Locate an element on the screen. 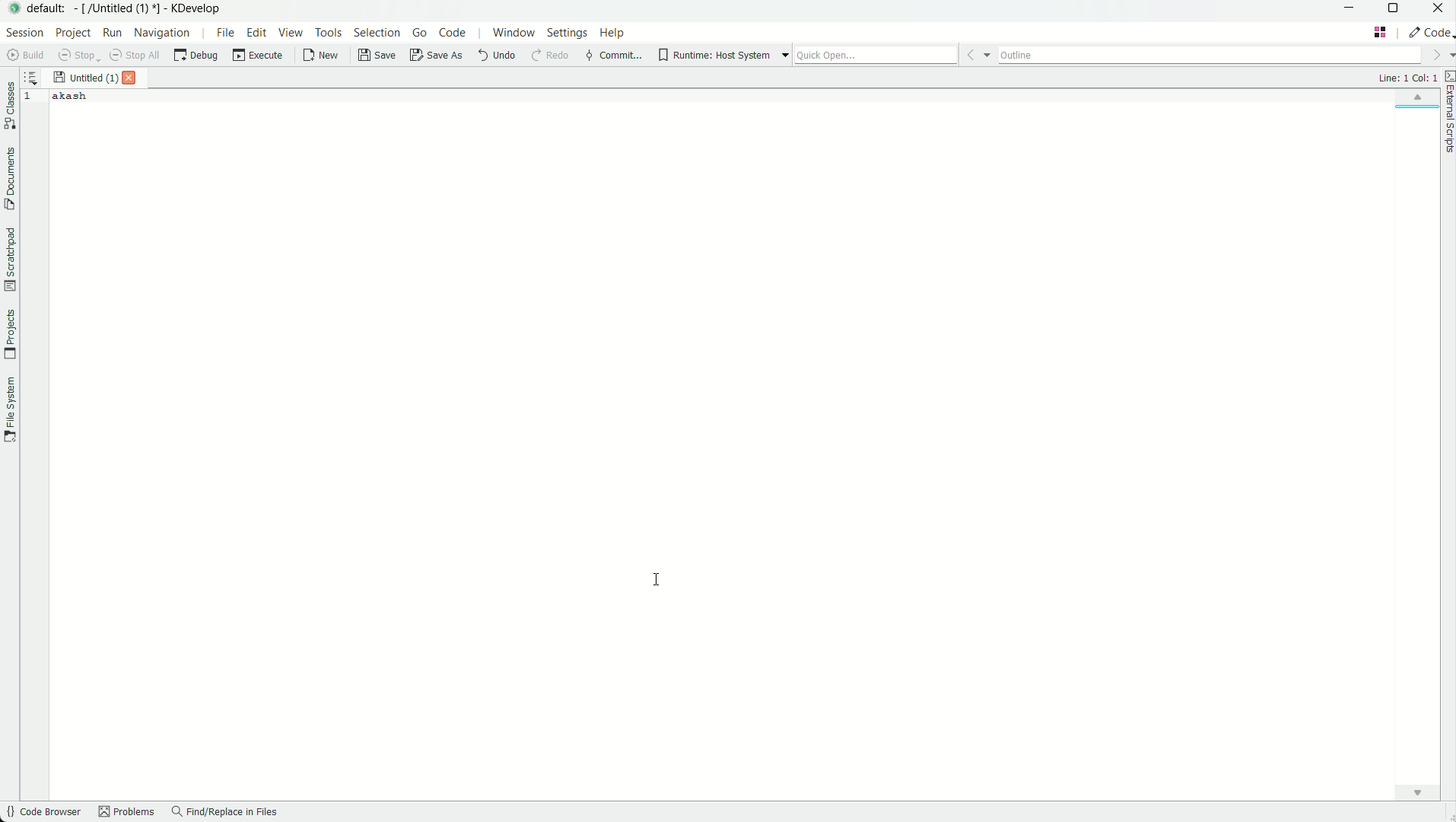 The height and width of the screenshot is (822, 1456). find/replace in files is located at coordinates (225, 813).